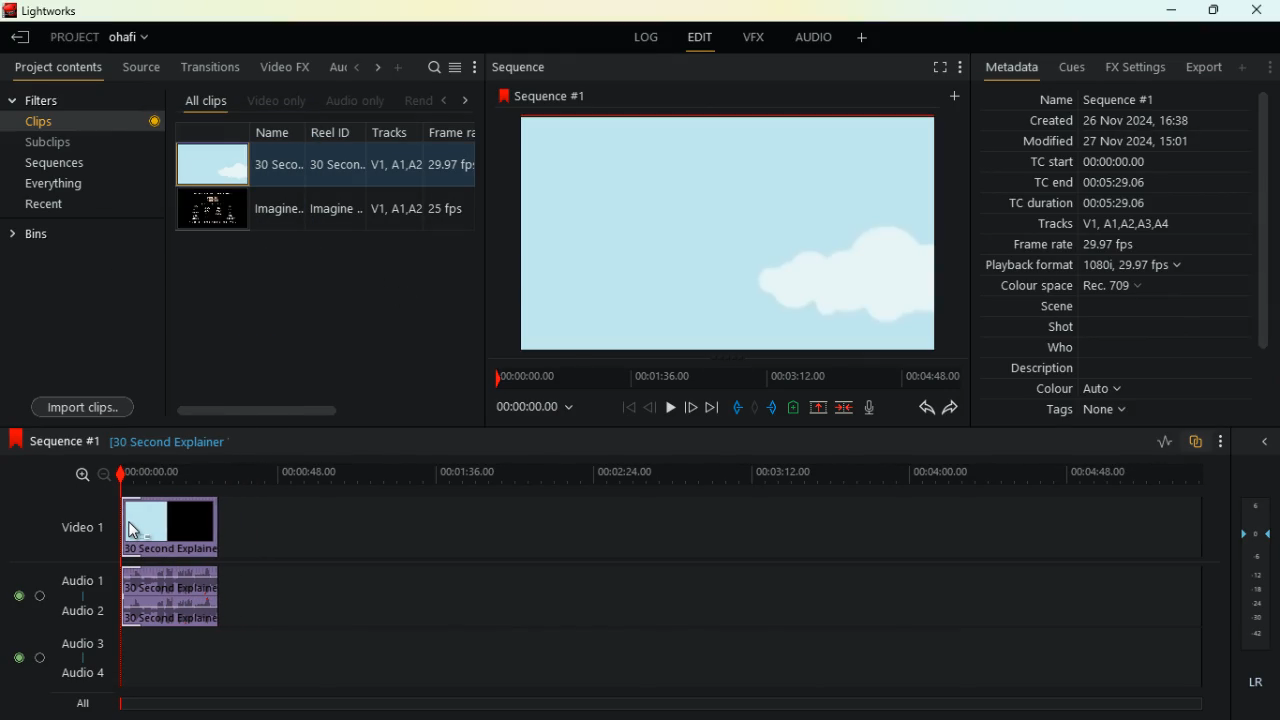 The width and height of the screenshot is (1280, 720). What do you see at coordinates (59, 68) in the screenshot?
I see `project contents` at bounding box center [59, 68].